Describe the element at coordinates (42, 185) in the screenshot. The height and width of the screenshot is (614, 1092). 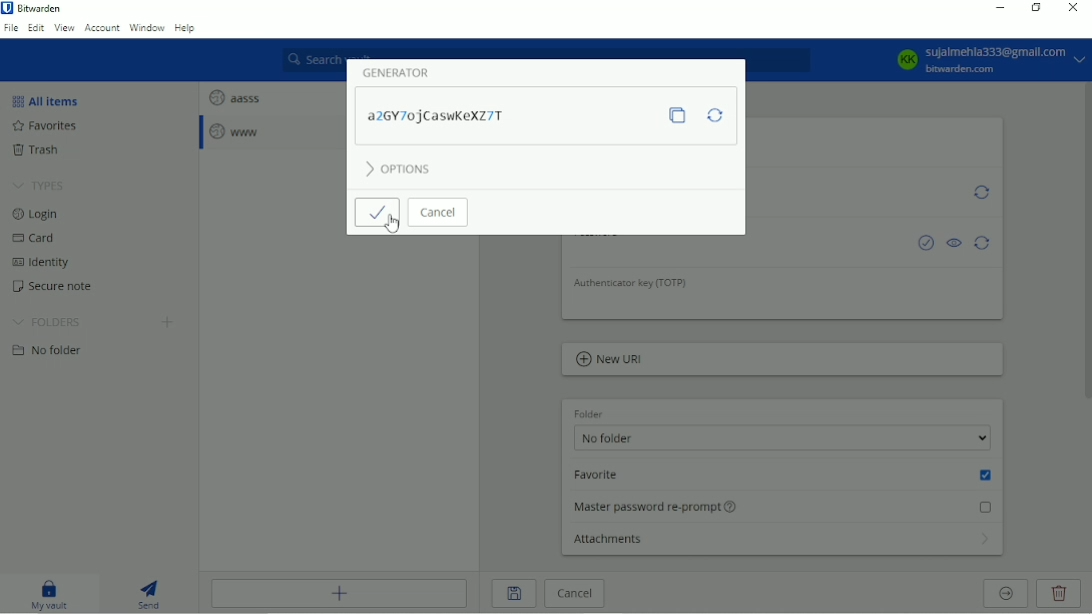
I see `Types` at that location.